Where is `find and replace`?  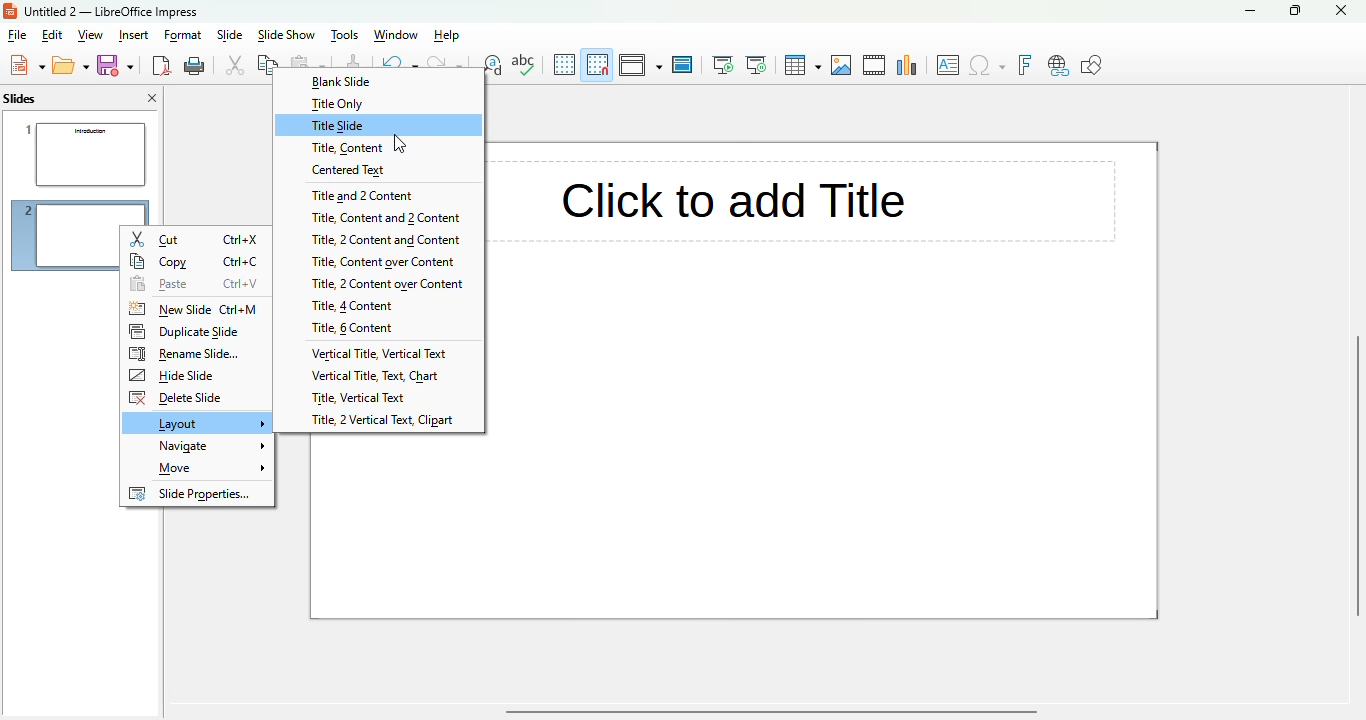
find and replace is located at coordinates (497, 65).